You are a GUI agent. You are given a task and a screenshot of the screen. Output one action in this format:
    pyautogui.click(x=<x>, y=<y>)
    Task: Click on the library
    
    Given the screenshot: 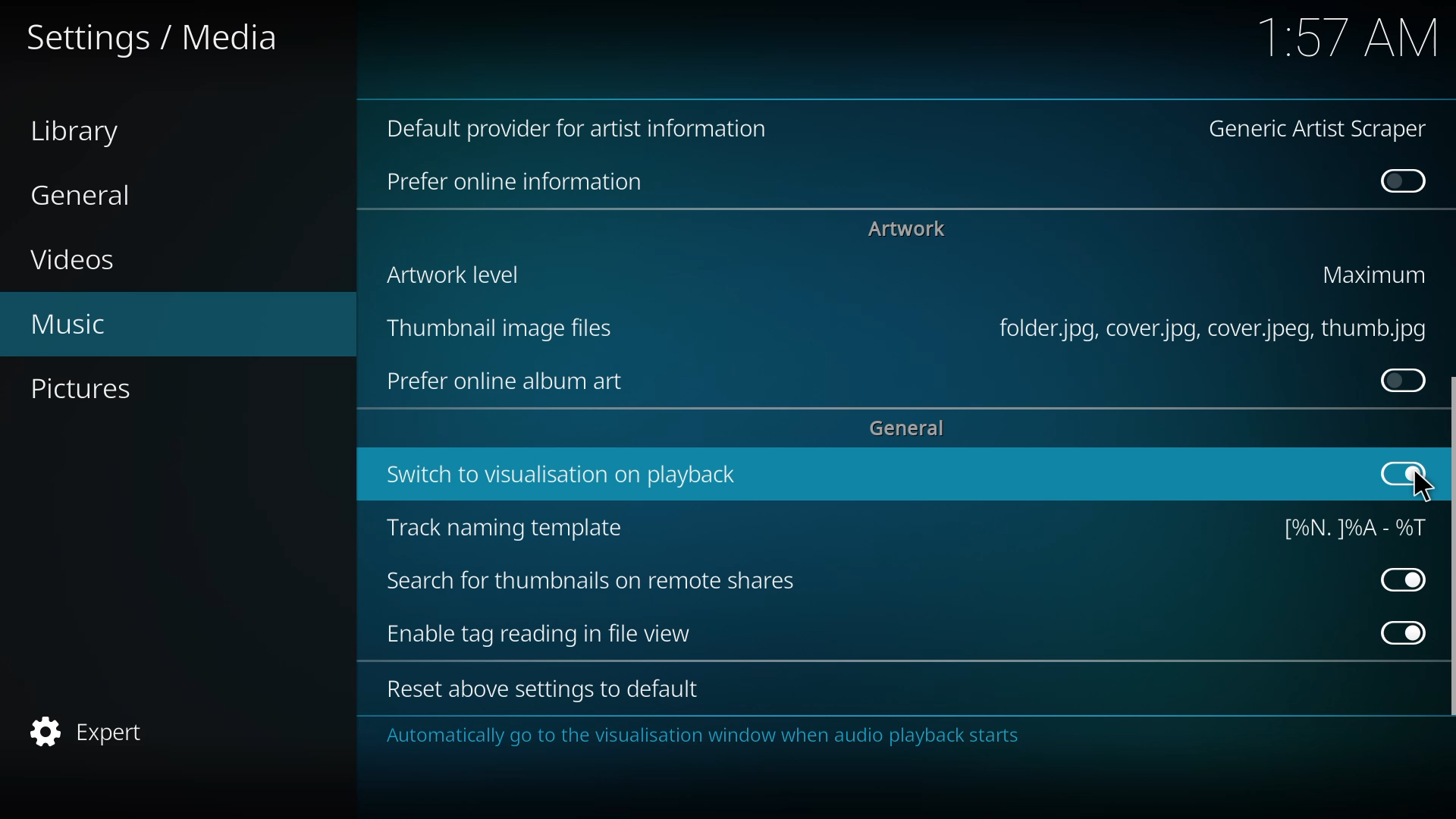 What is the action you would take?
    pyautogui.click(x=85, y=133)
    